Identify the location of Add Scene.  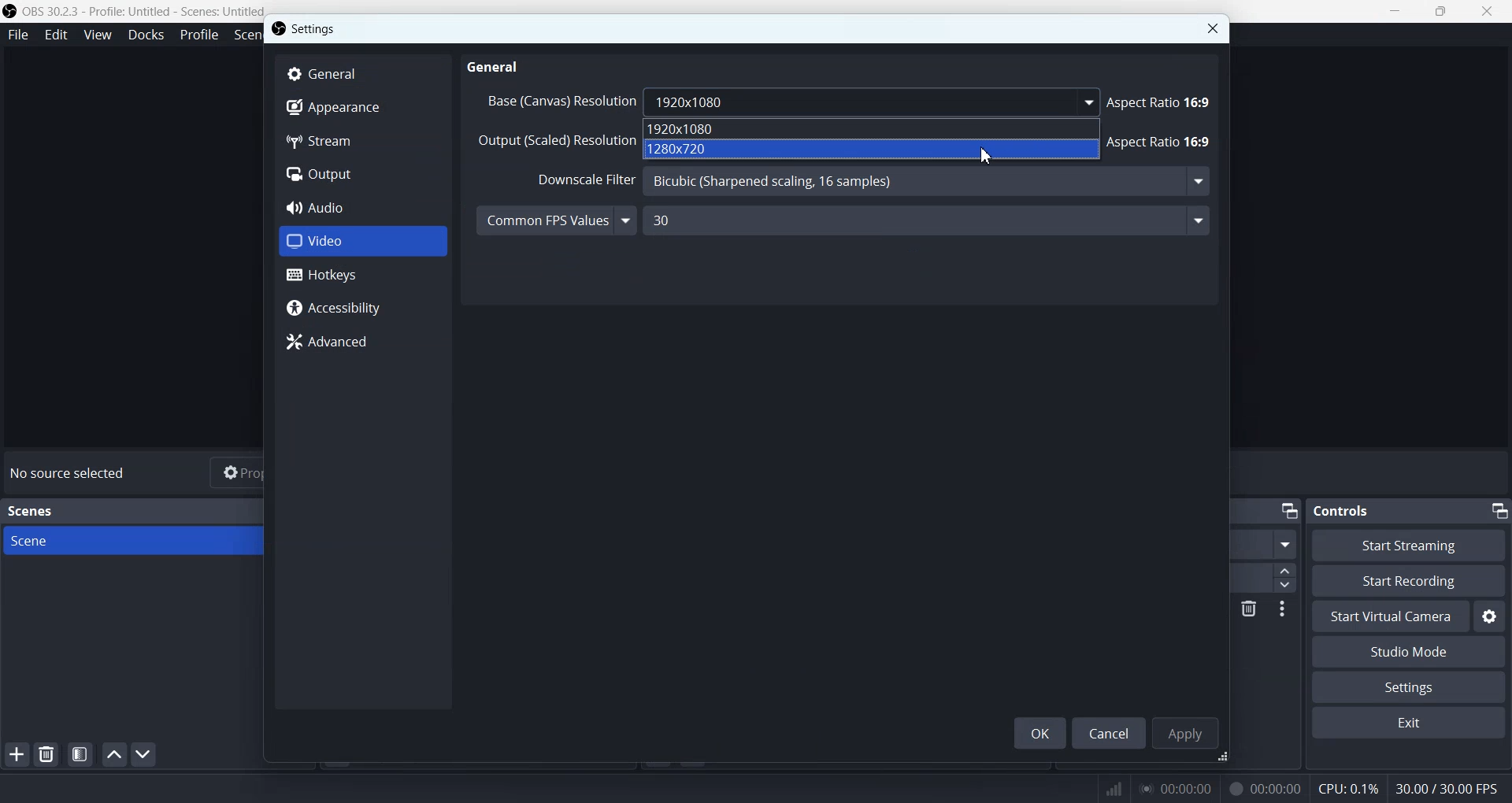
(16, 754).